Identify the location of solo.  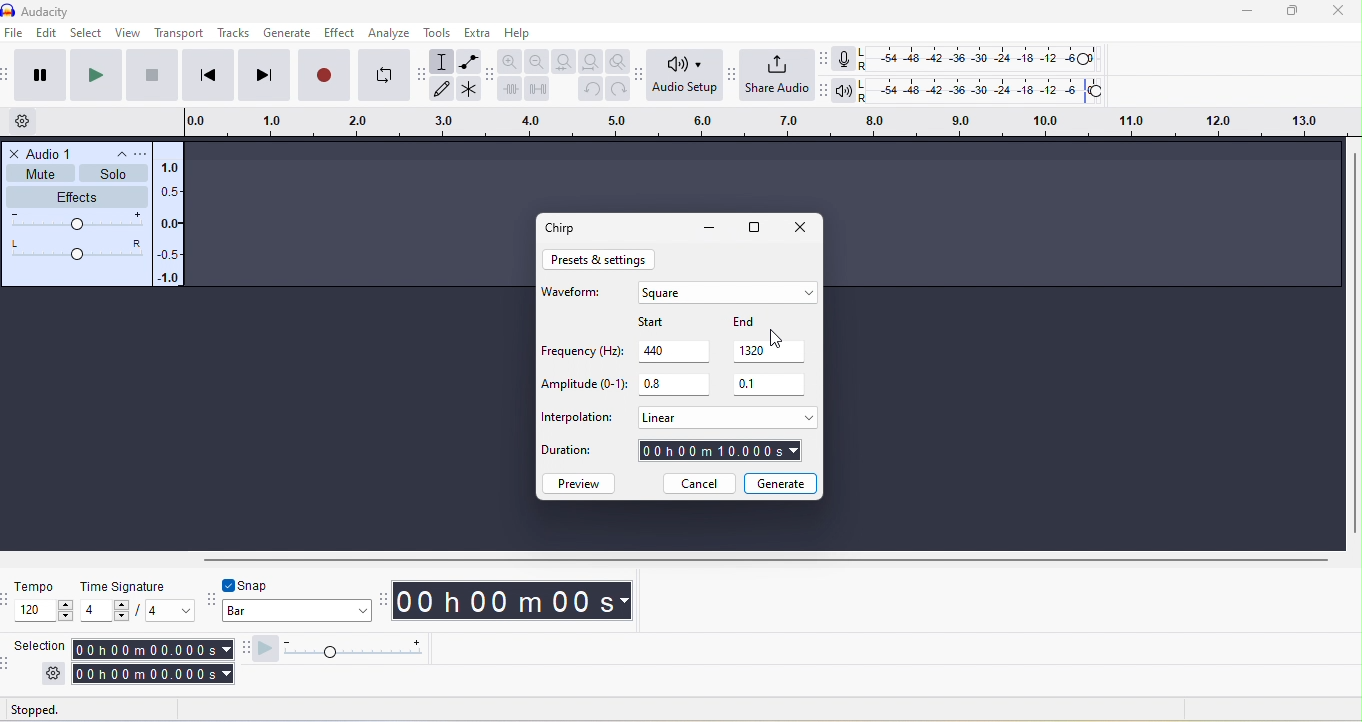
(115, 174).